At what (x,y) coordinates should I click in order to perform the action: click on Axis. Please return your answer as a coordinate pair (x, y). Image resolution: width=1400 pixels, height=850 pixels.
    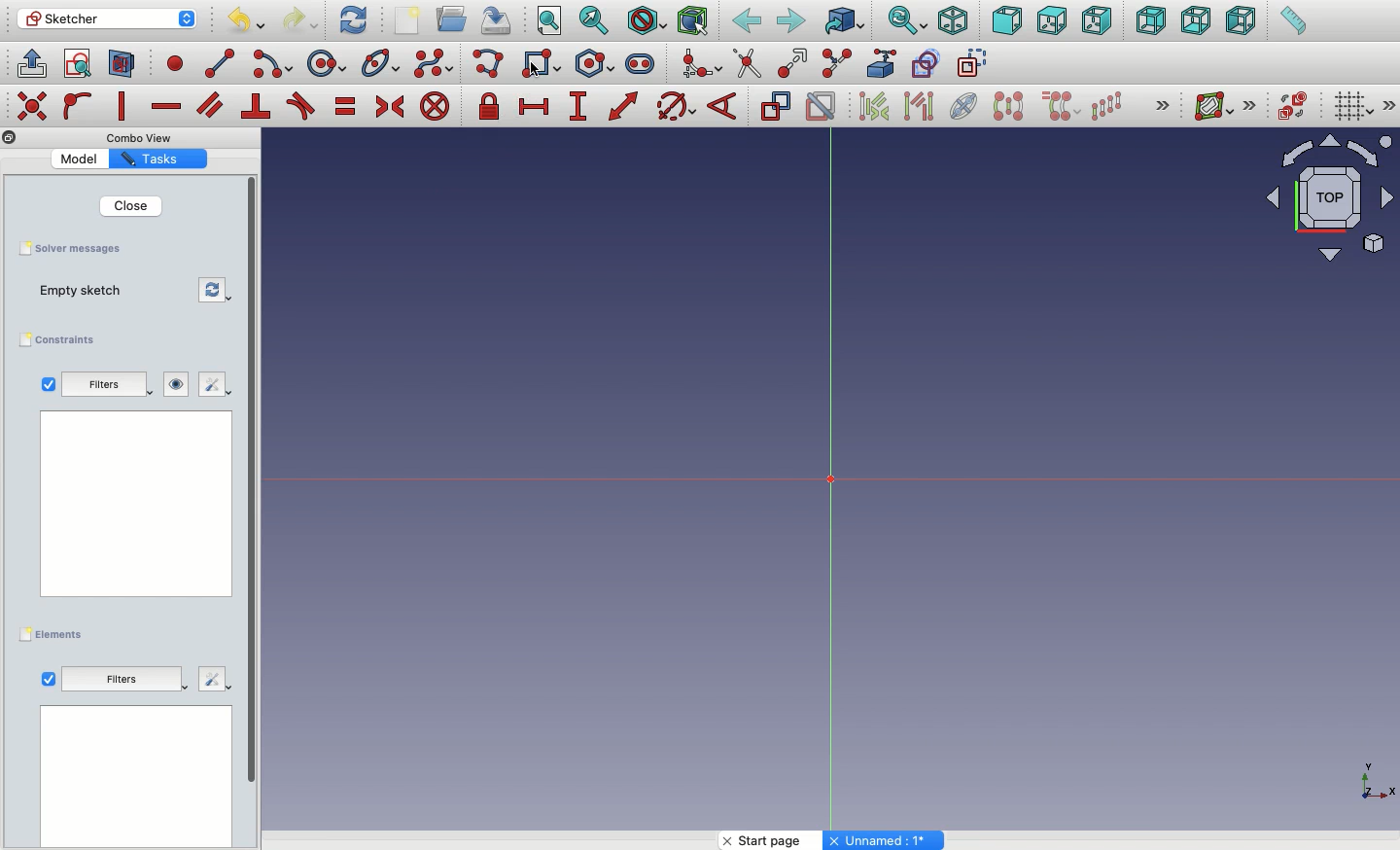
    Looking at the image, I should click on (1374, 775).